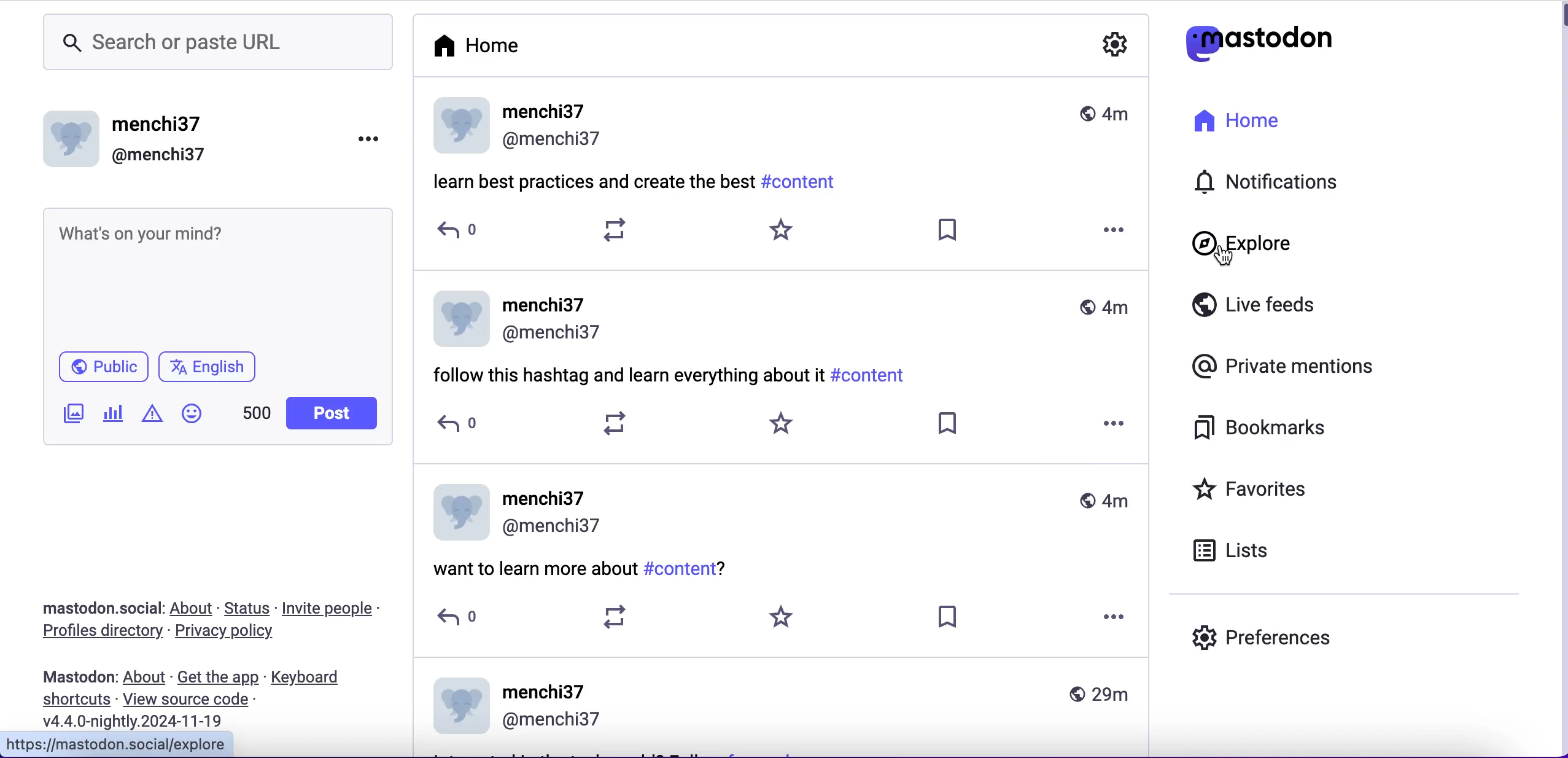 Image resolution: width=1568 pixels, height=758 pixels. I want to click on live feeds, so click(1270, 305).